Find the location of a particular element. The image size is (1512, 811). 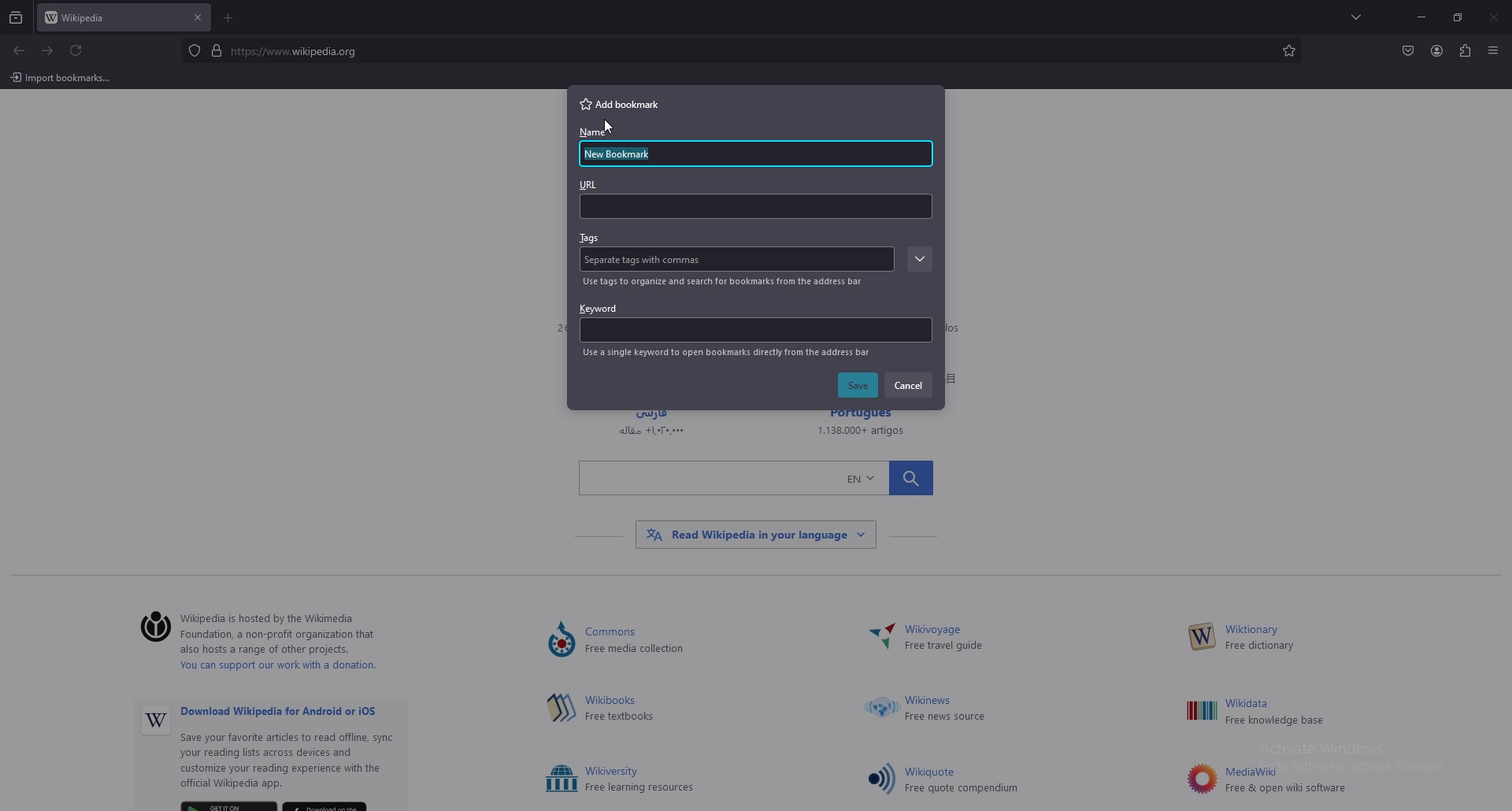

 is located at coordinates (755, 535).